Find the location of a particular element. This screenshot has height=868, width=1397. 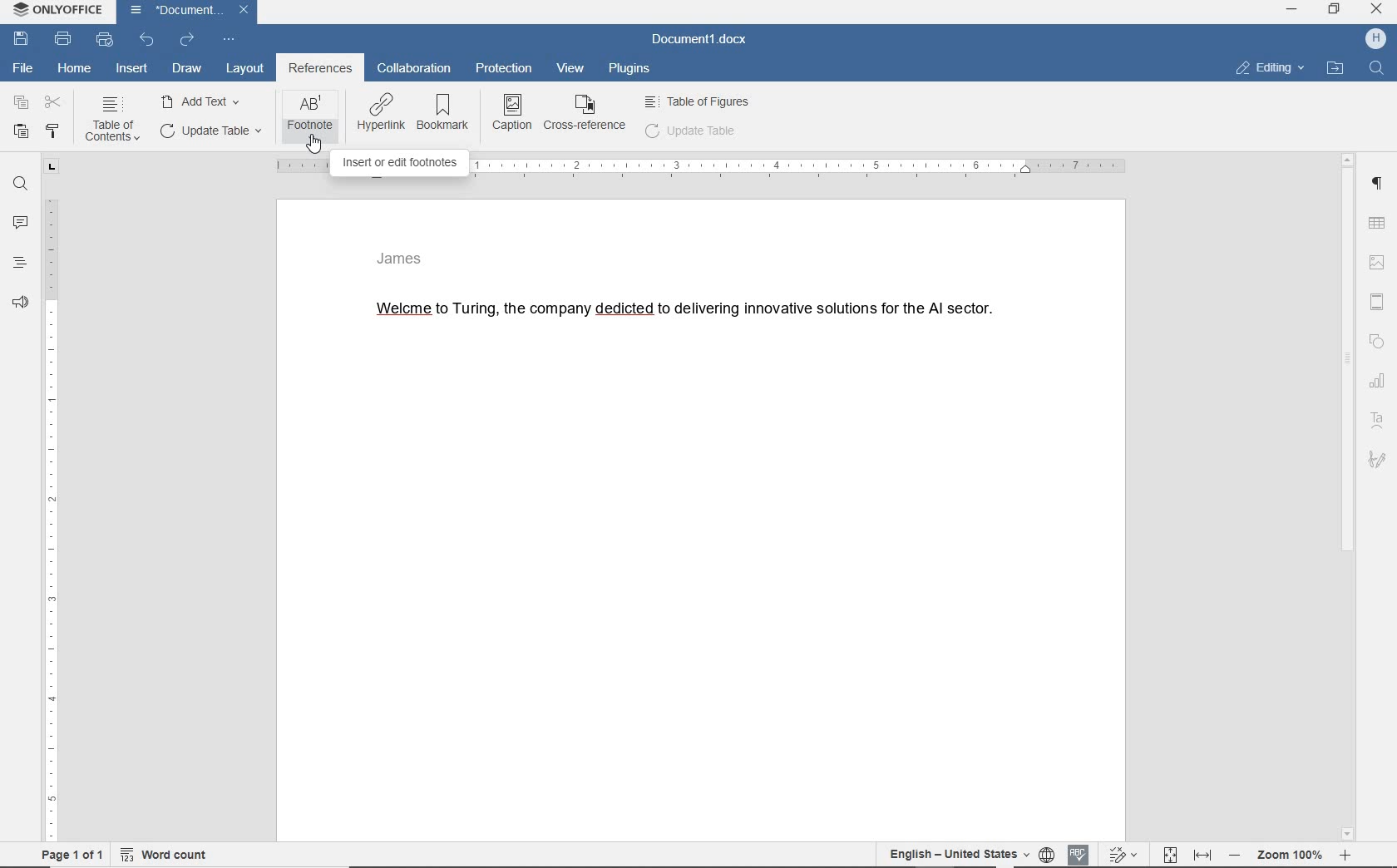

copy is located at coordinates (18, 102).